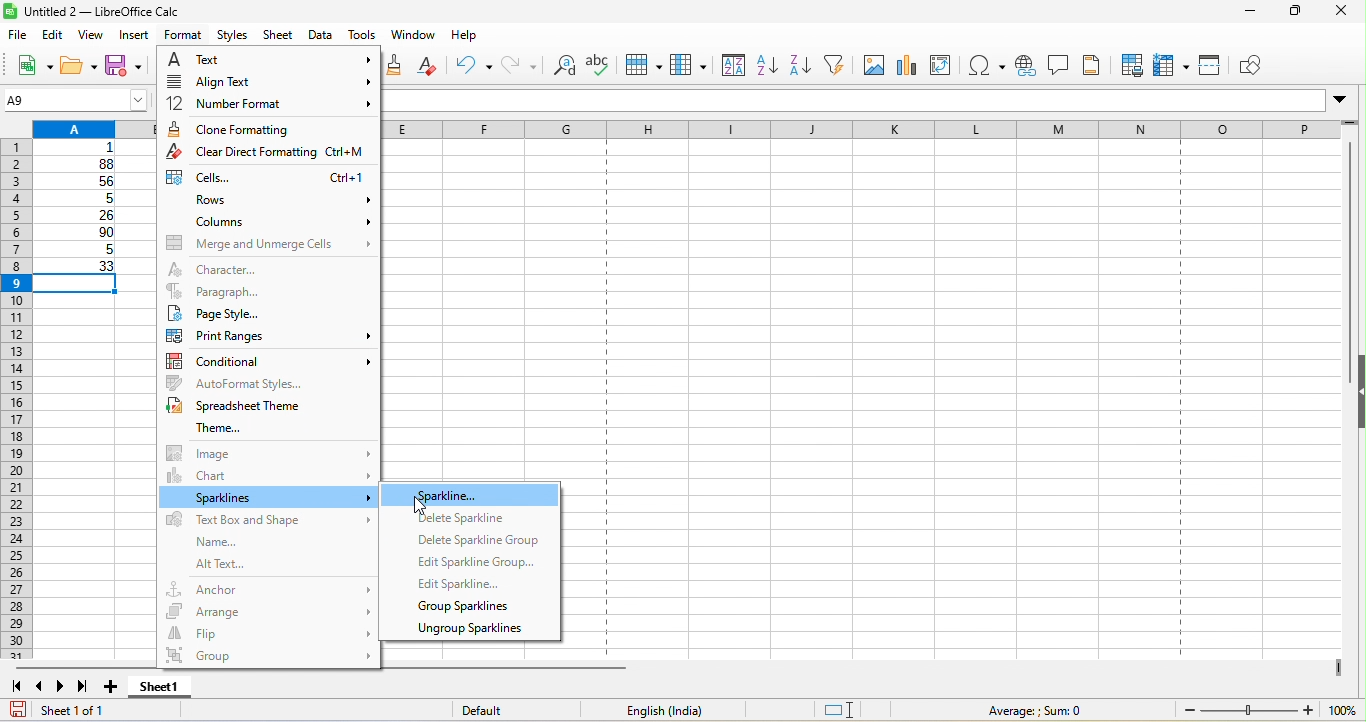  What do you see at coordinates (467, 607) in the screenshot?
I see `group sparklins` at bounding box center [467, 607].